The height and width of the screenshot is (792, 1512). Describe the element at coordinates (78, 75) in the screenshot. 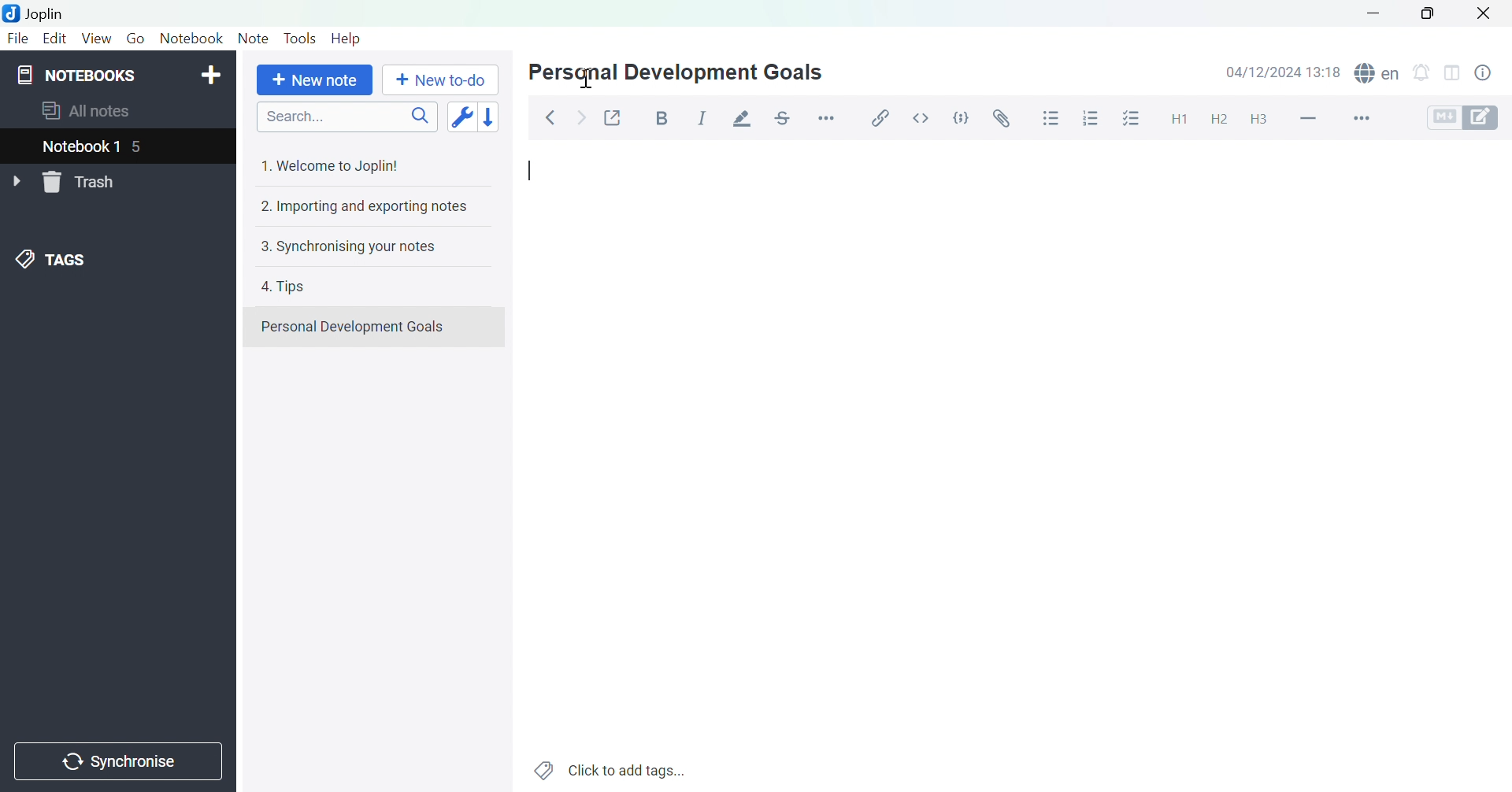

I see `NOTEBOOKS` at that location.